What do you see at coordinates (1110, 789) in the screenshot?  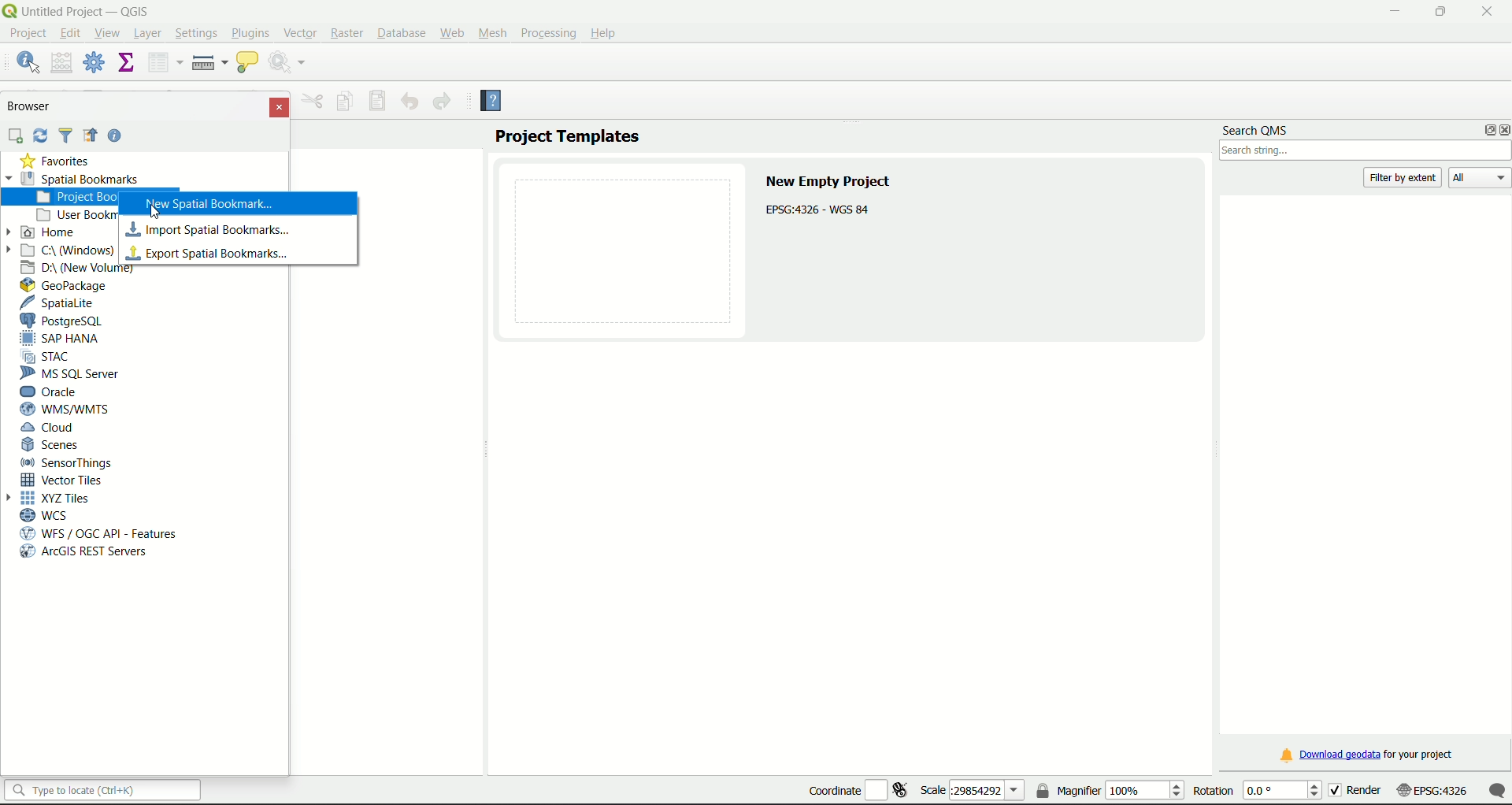 I see `magnifier` at bounding box center [1110, 789].